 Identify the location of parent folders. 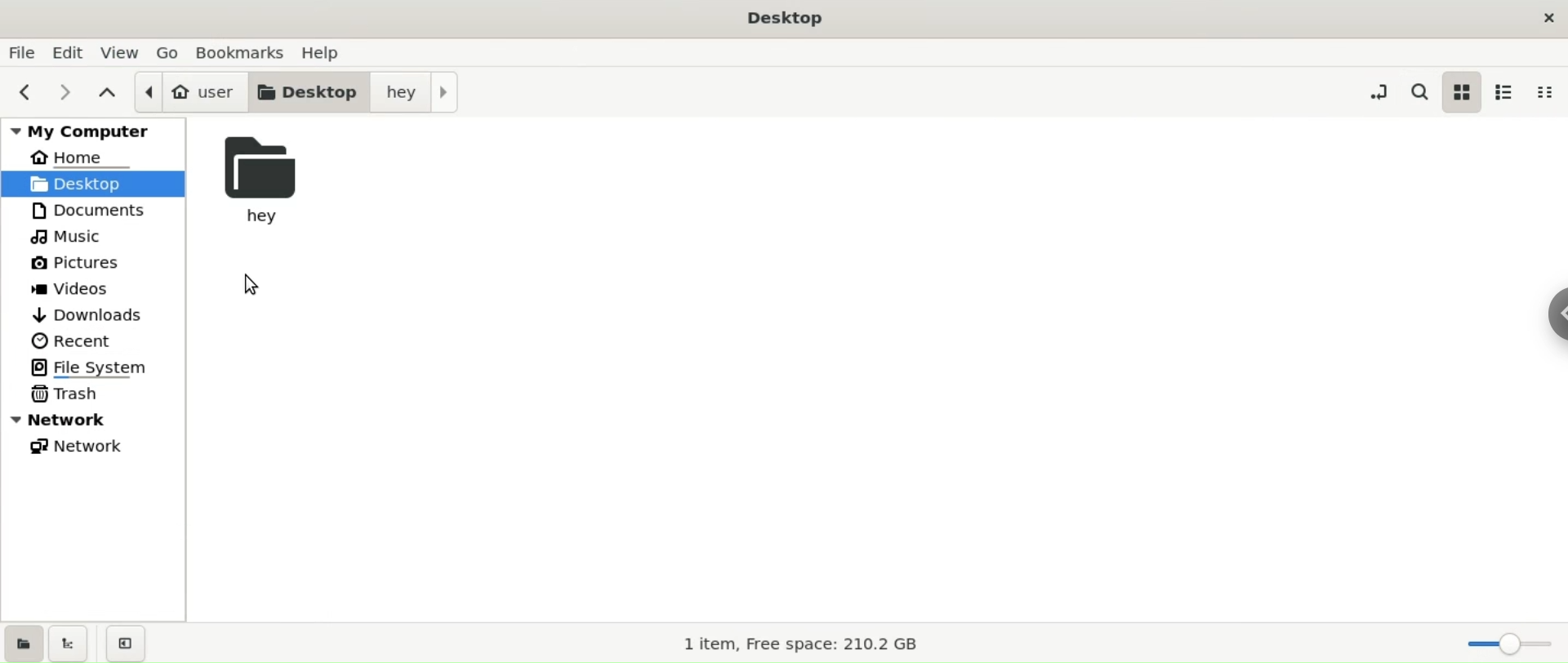
(104, 95).